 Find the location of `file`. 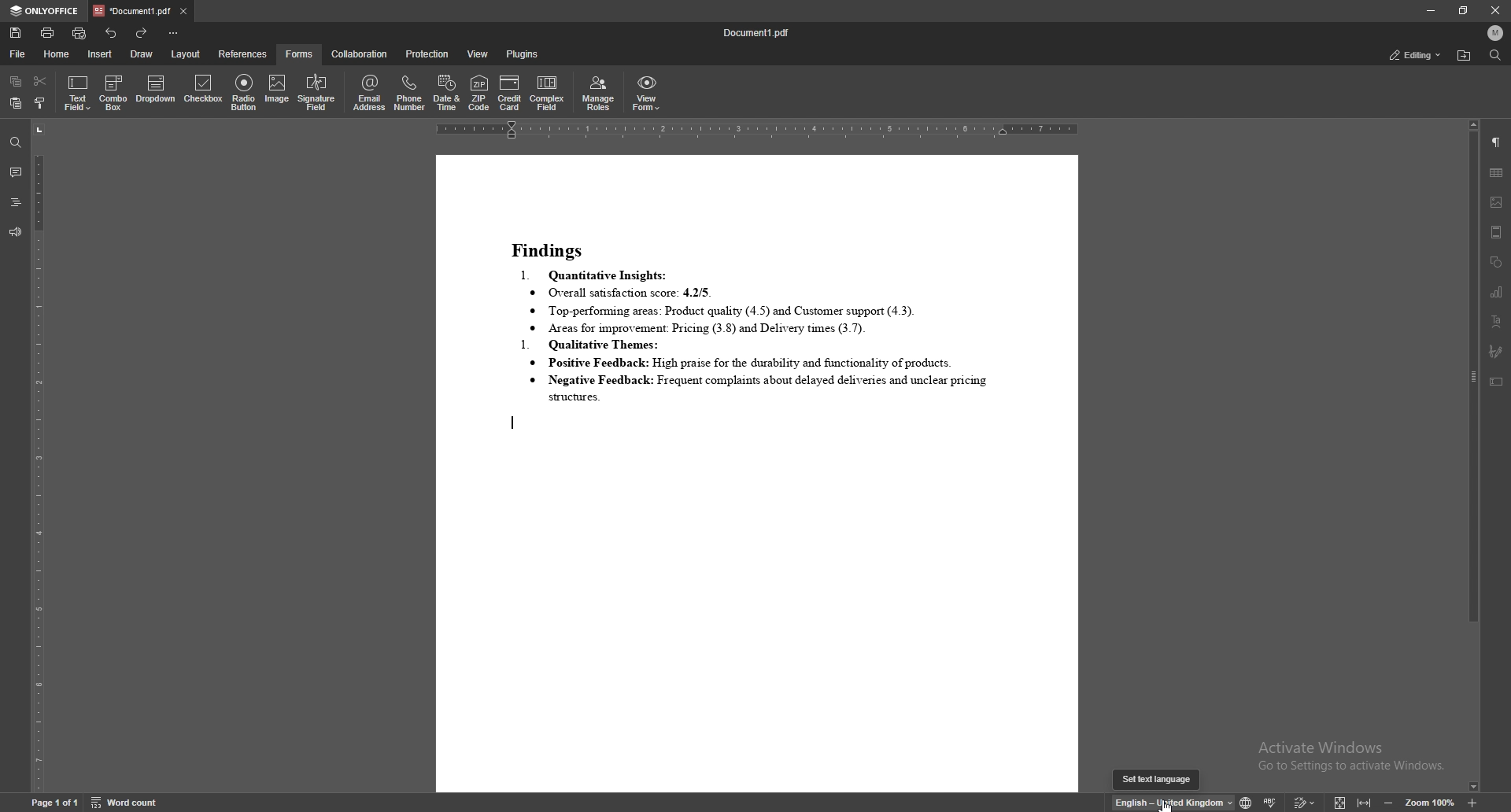

file is located at coordinates (18, 54).